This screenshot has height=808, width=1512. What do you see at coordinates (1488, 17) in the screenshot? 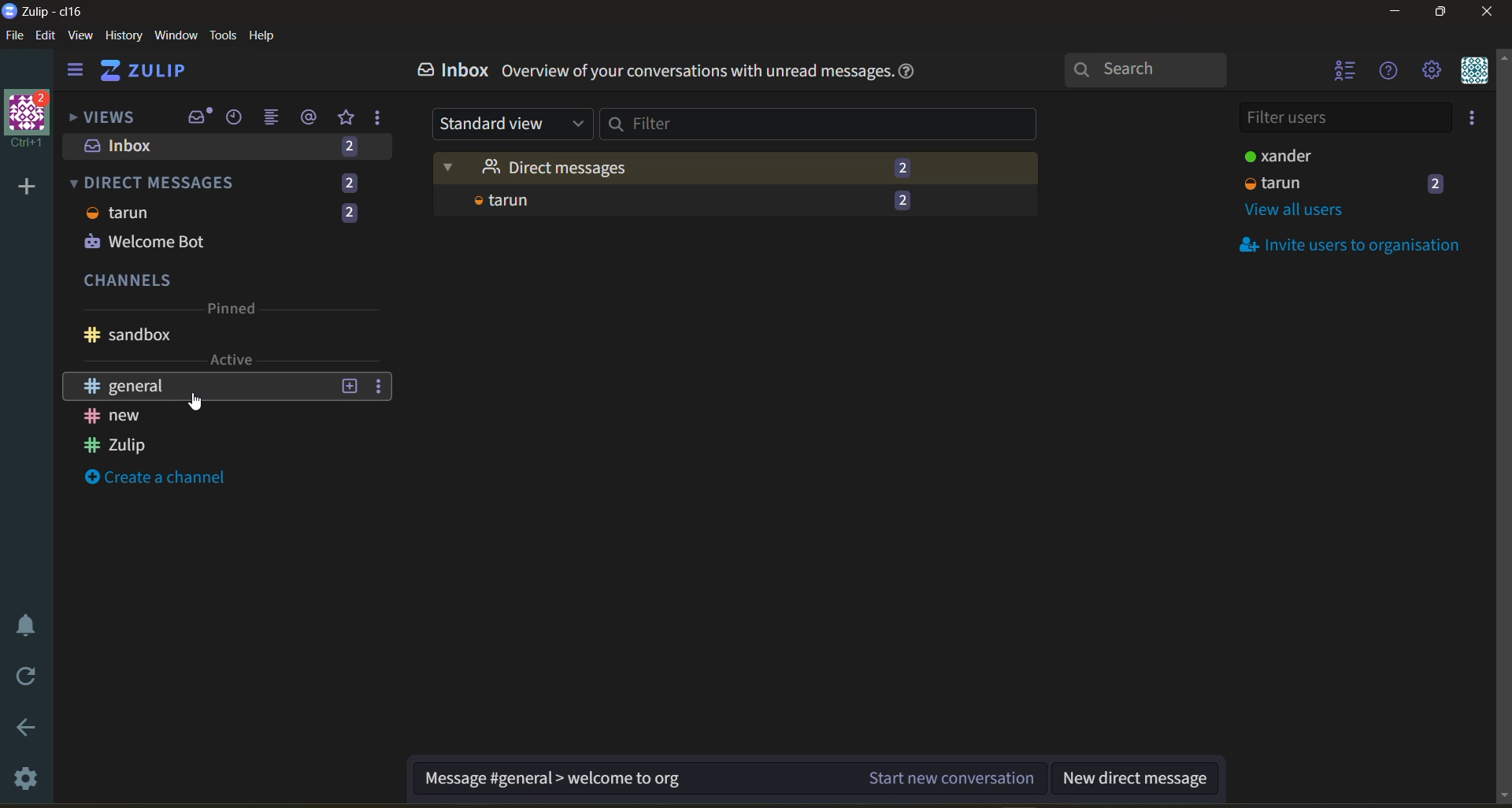
I see `close` at bounding box center [1488, 17].